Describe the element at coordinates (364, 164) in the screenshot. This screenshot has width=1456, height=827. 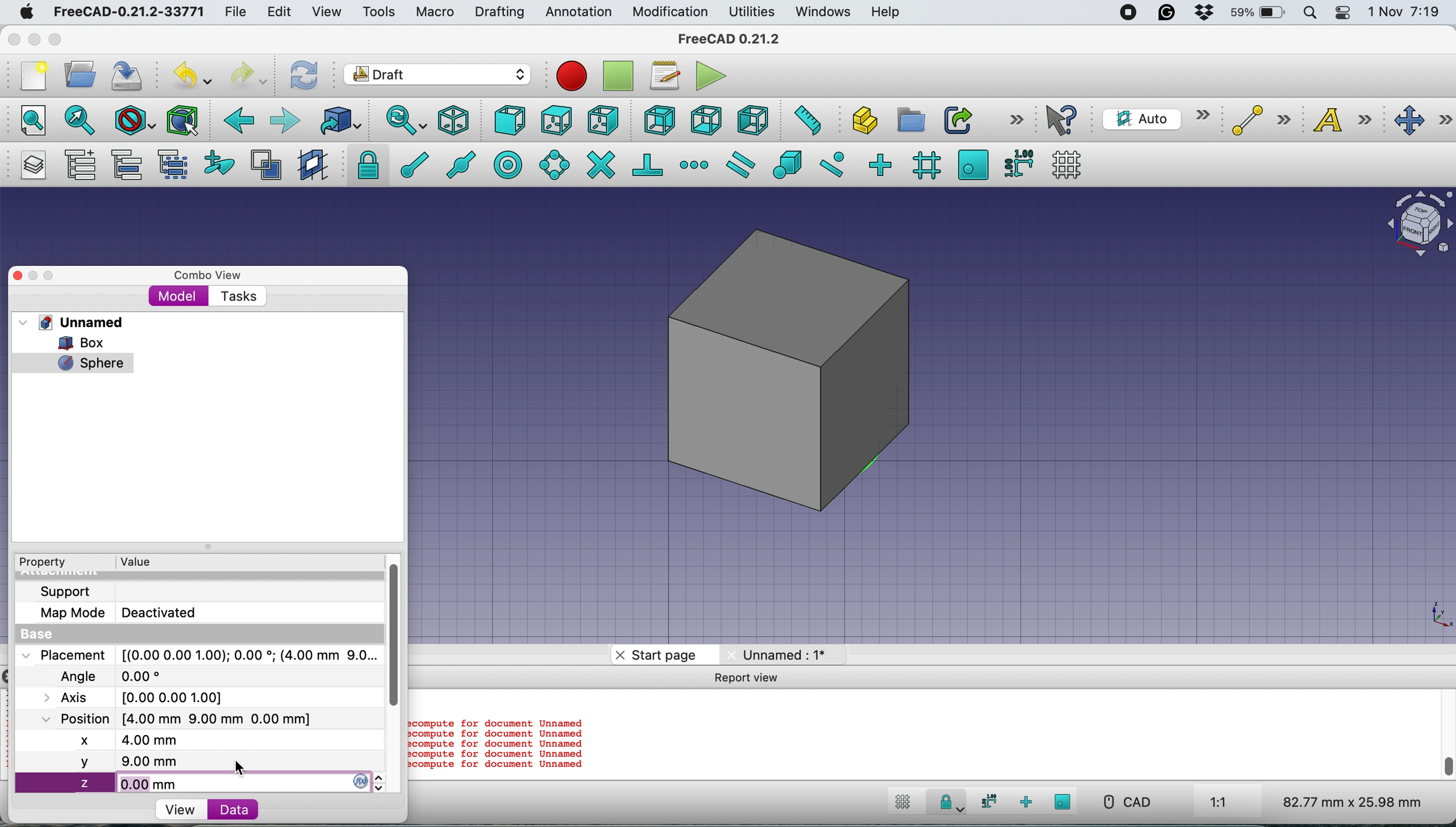
I see `snap lock` at that location.